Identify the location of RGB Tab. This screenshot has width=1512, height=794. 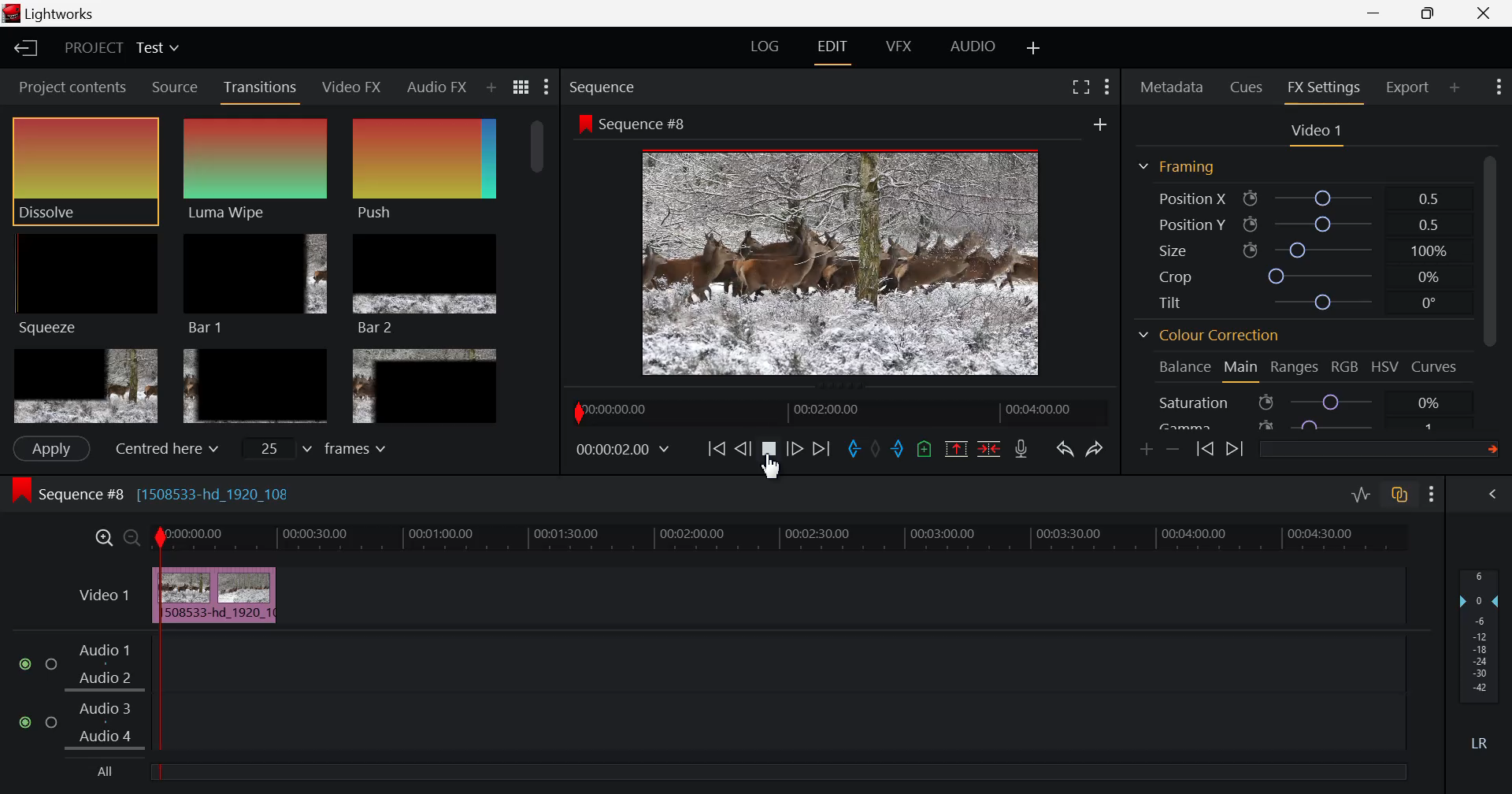
(1347, 369).